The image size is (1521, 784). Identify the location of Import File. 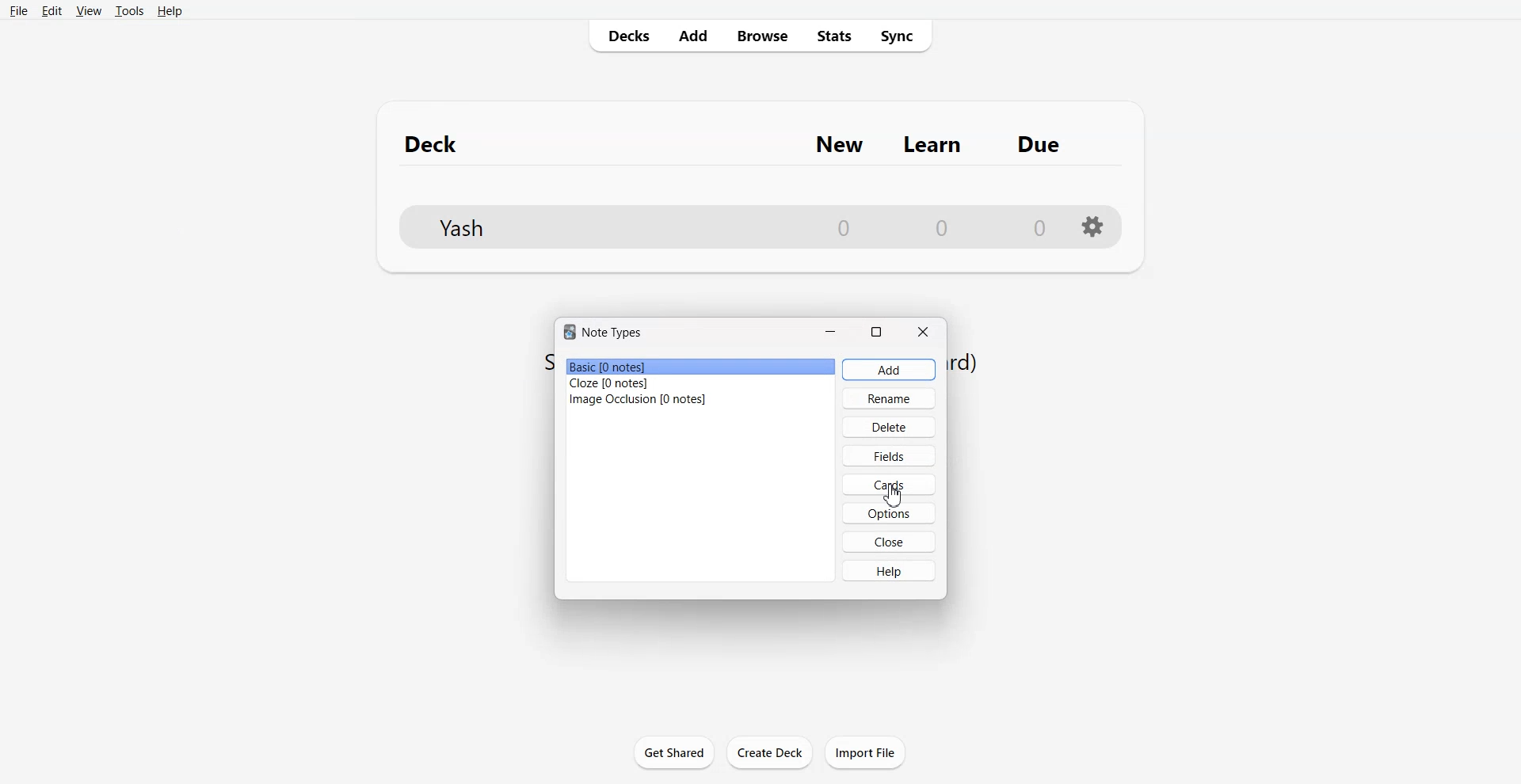
(866, 752).